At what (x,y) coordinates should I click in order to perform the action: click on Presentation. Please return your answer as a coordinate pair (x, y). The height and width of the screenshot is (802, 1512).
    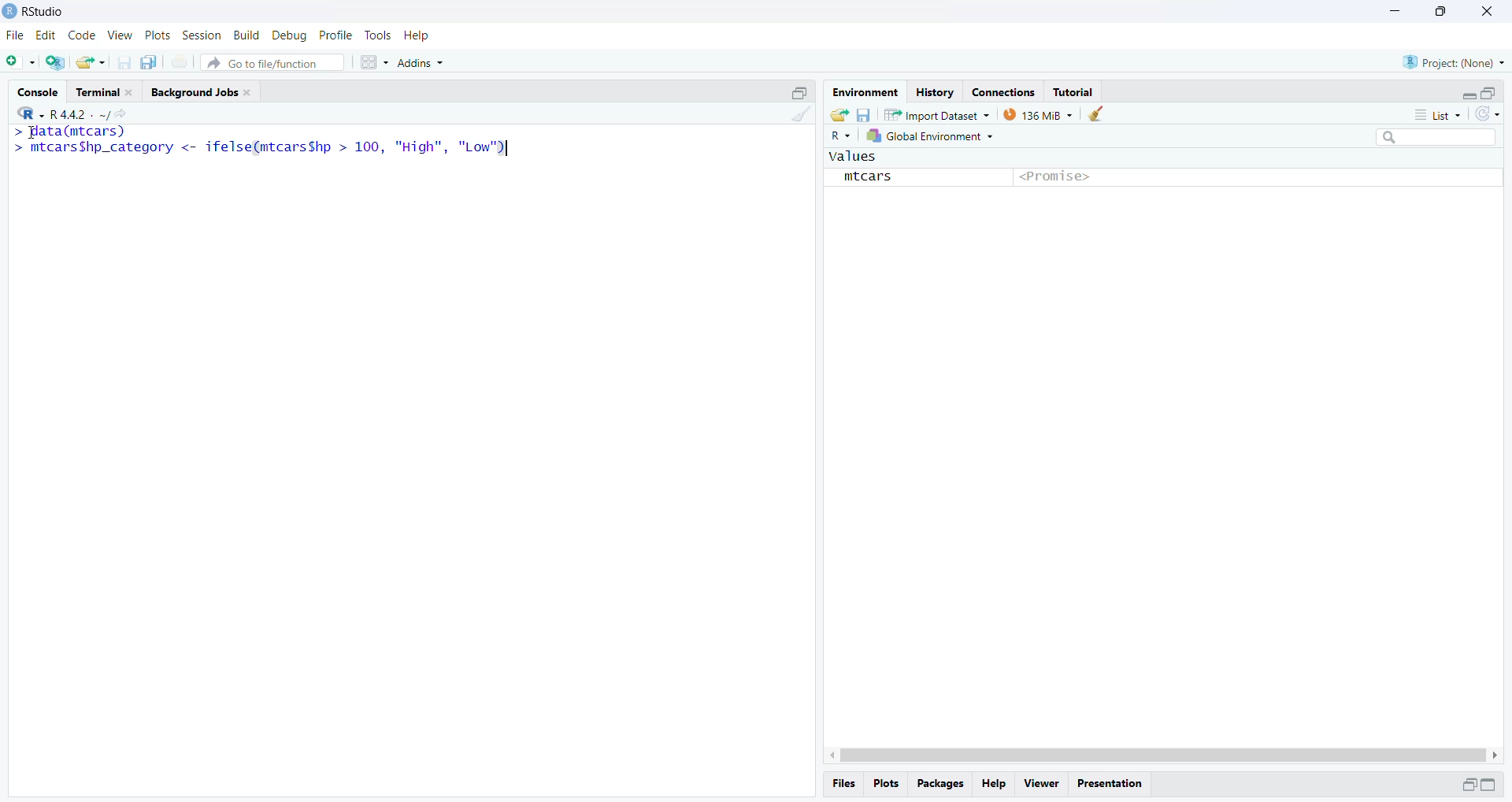
    Looking at the image, I should click on (1114, 782).